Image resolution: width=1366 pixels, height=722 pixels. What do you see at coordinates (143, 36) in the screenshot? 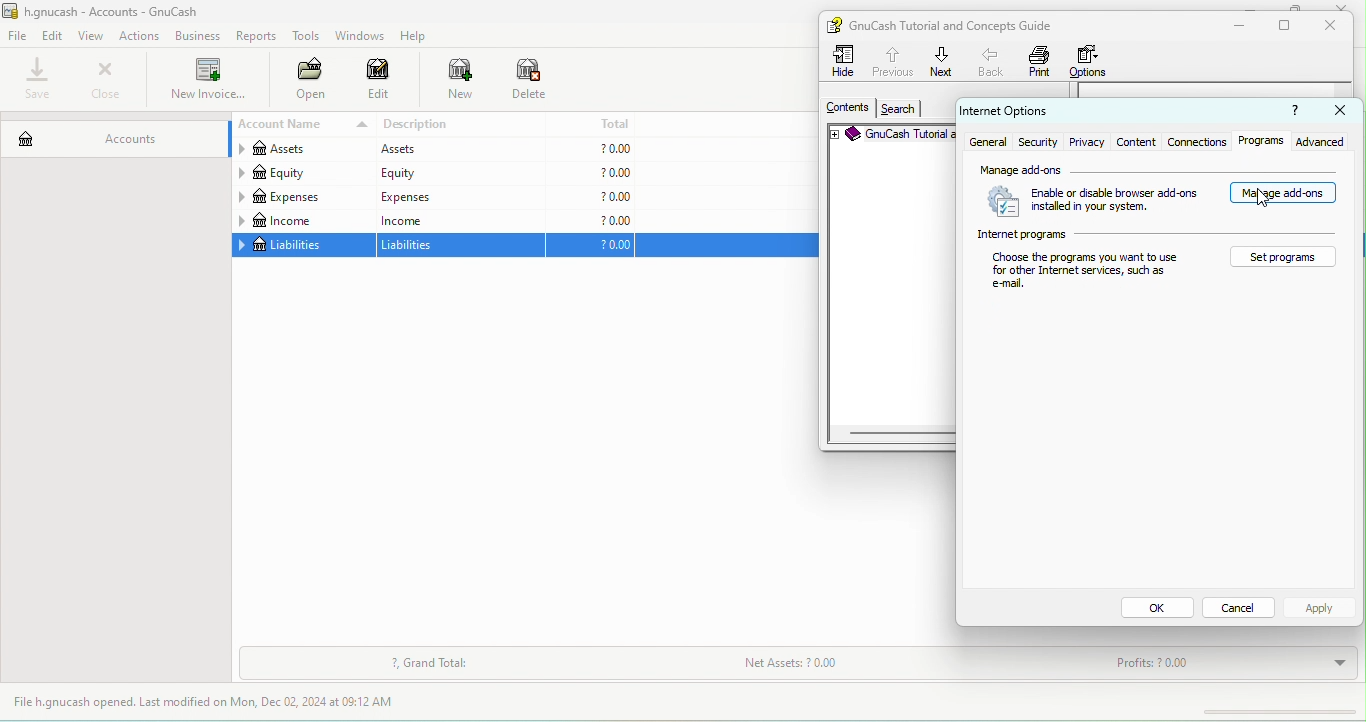
I see `actions` at bounding box center [143, 36].